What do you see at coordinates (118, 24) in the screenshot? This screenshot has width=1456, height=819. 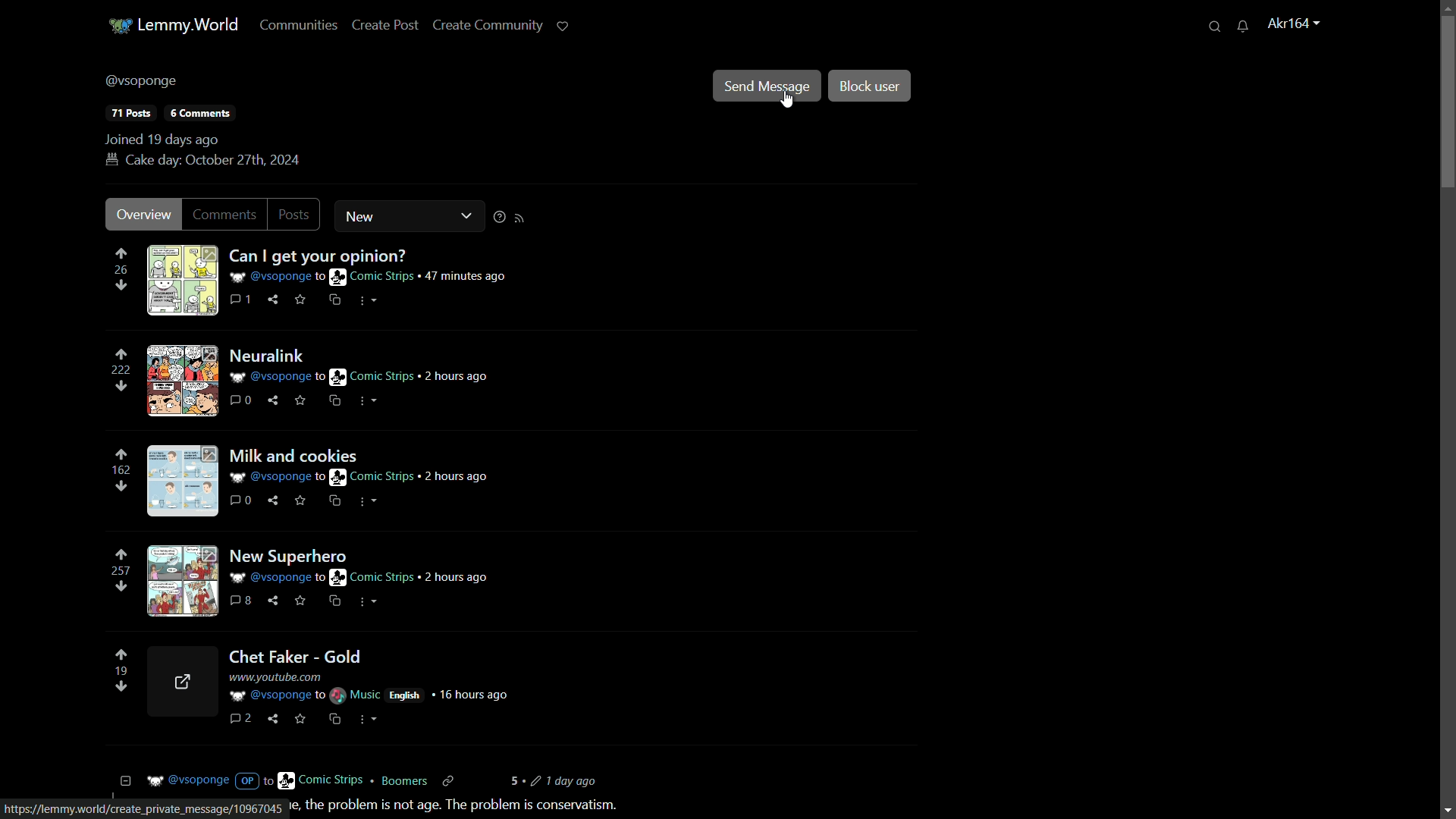 I see `community icon` at bounding box center [118, 24].